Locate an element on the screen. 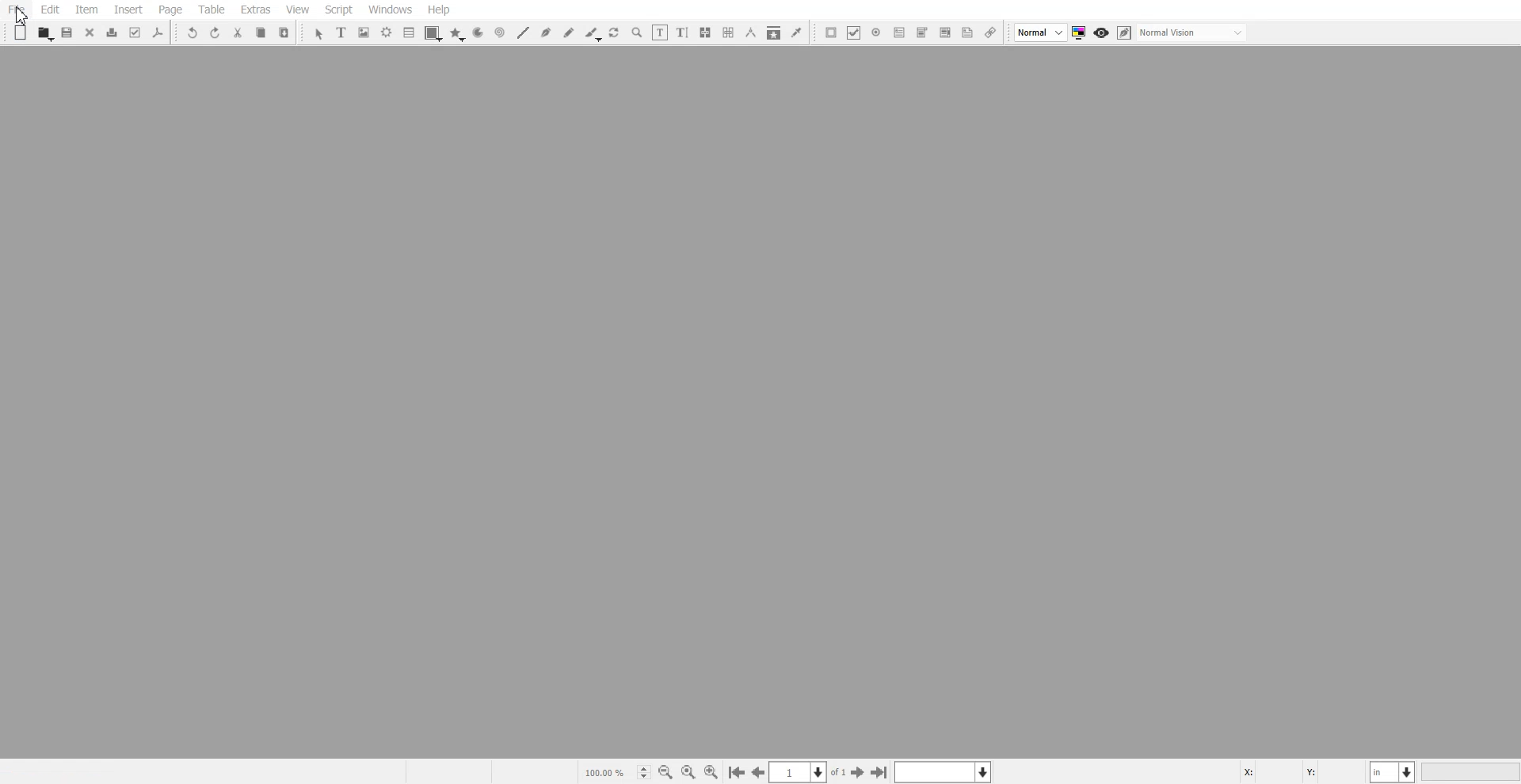  Select current zoom is located at coordinates (616, 771).